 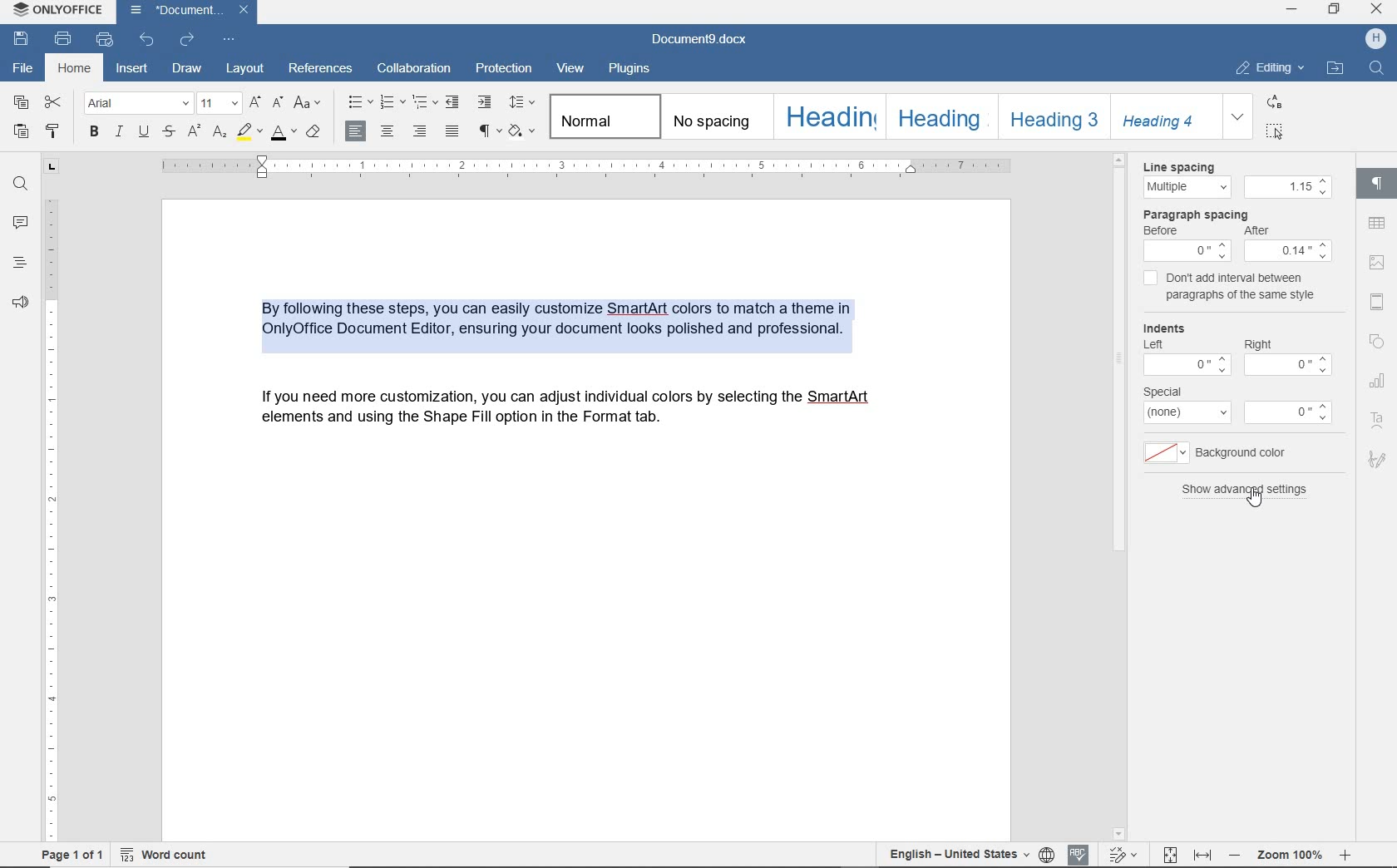 I want to click on paragraph line spacing, so click(x=521, y=102).